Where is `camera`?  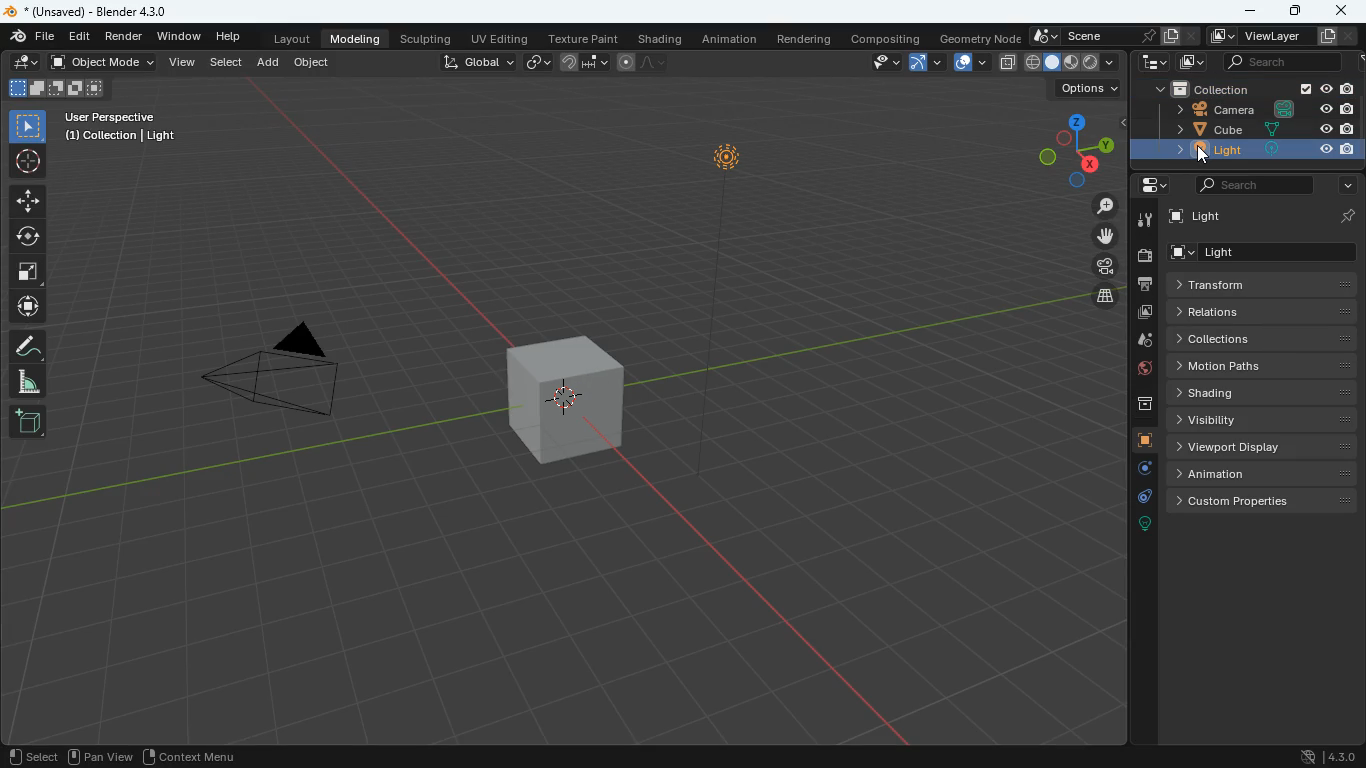 camera is located at coordinates (1144, 257).